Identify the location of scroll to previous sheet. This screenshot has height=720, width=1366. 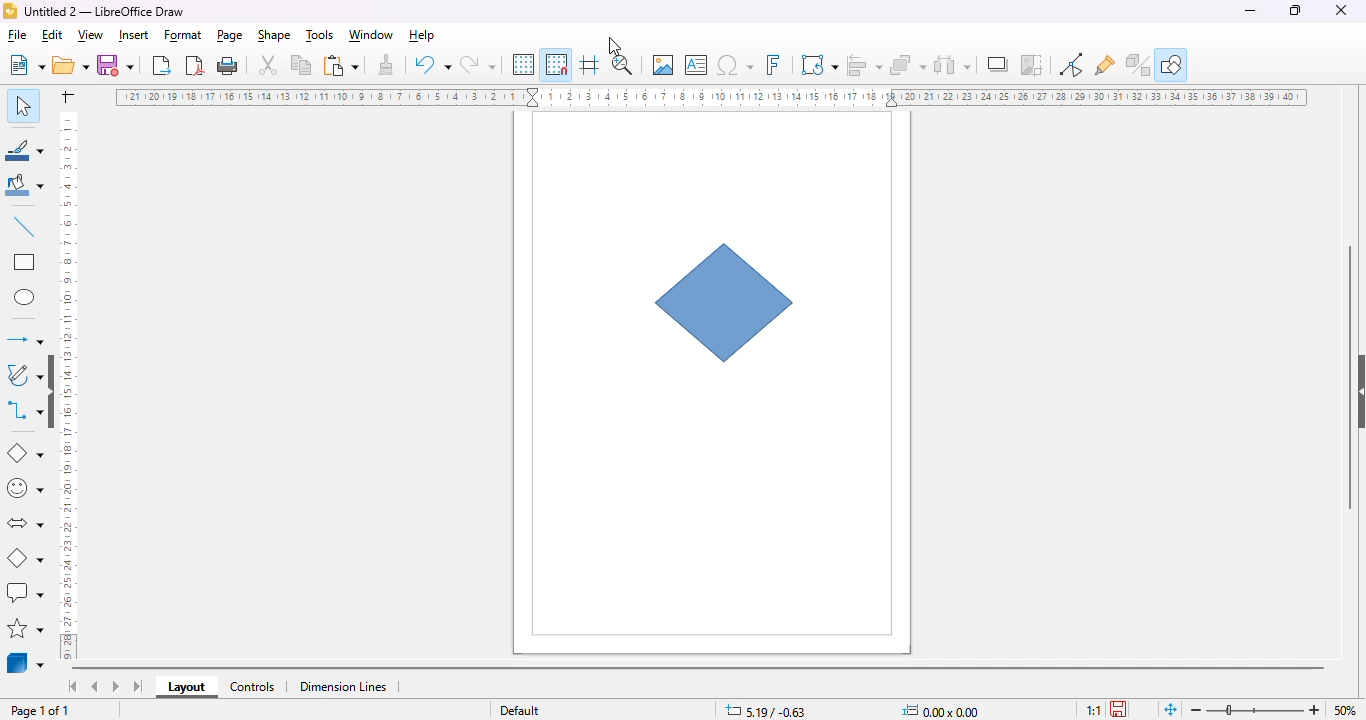
(97, 686).